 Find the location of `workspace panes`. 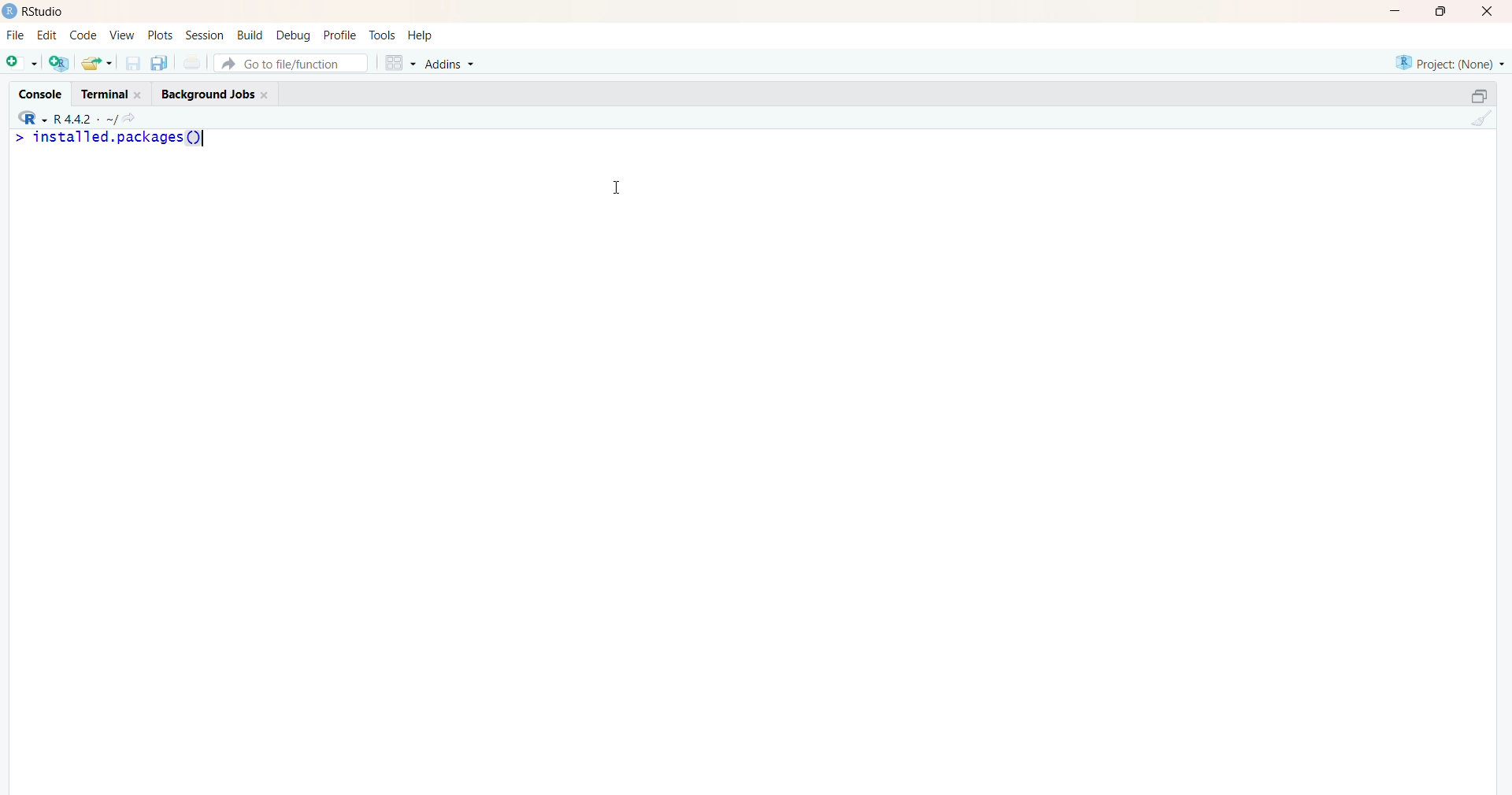

workspace panes is located at coordinates (399, 65).